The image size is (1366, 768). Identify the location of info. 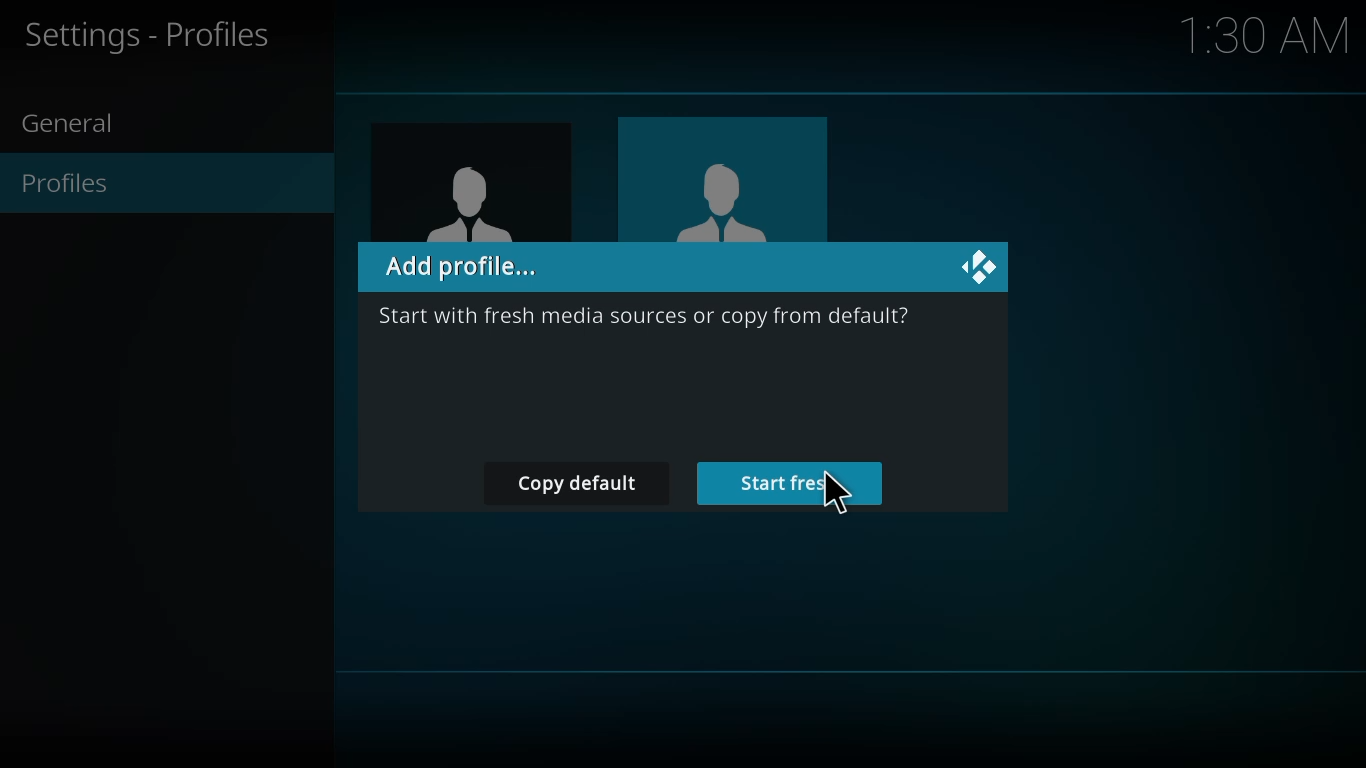
(648, 319).